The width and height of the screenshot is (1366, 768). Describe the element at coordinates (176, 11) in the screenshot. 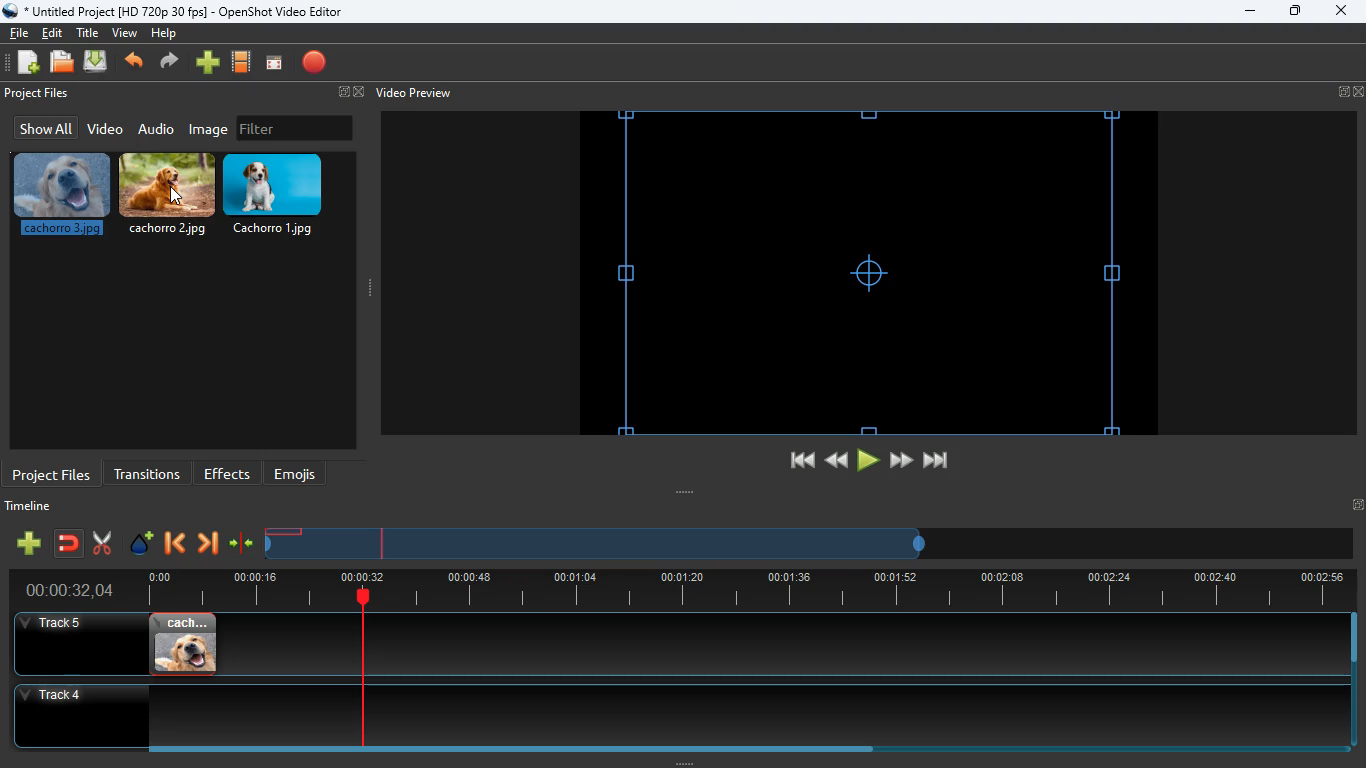

I see `* Untitled Project [HD 720p 30 fps] - OpenShot Video Editor` at that location.